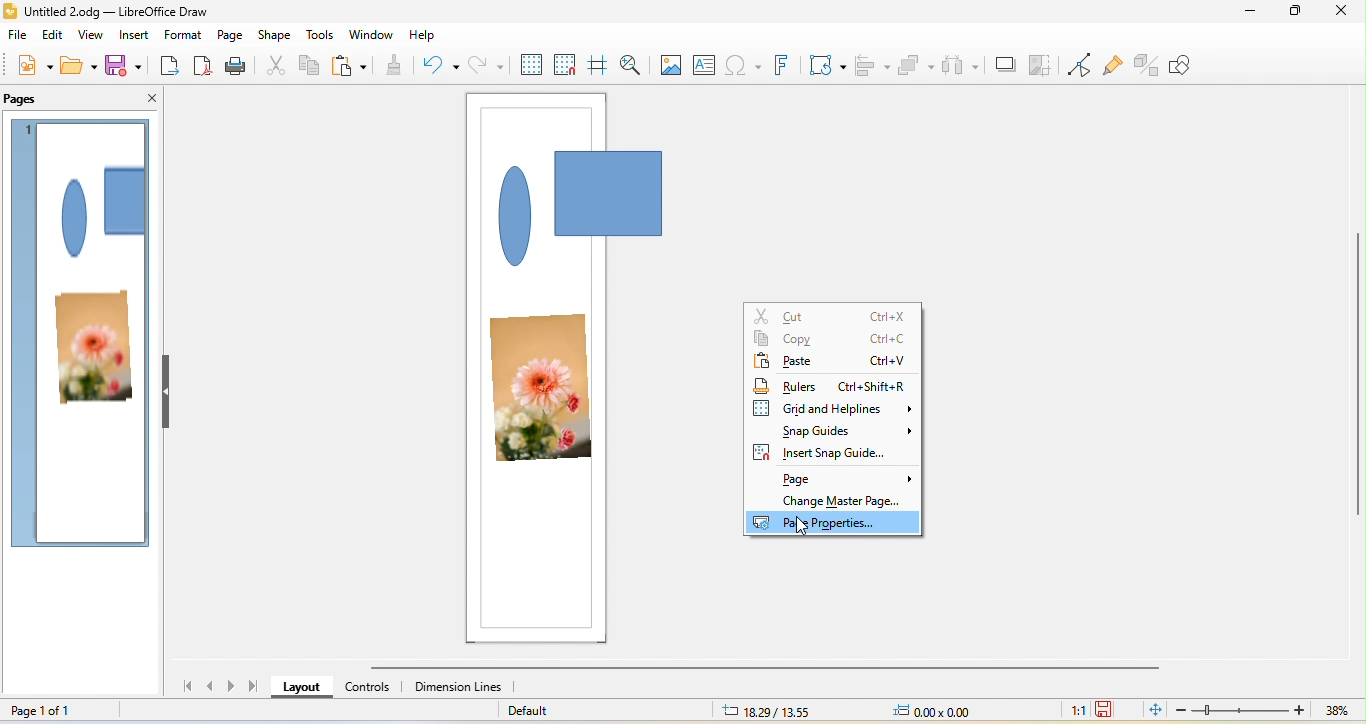 The height and width of the screenshot is (724, 1366). Describe the element at coordinates (920, 62) in the screenshot. I see `arrange` at that location.